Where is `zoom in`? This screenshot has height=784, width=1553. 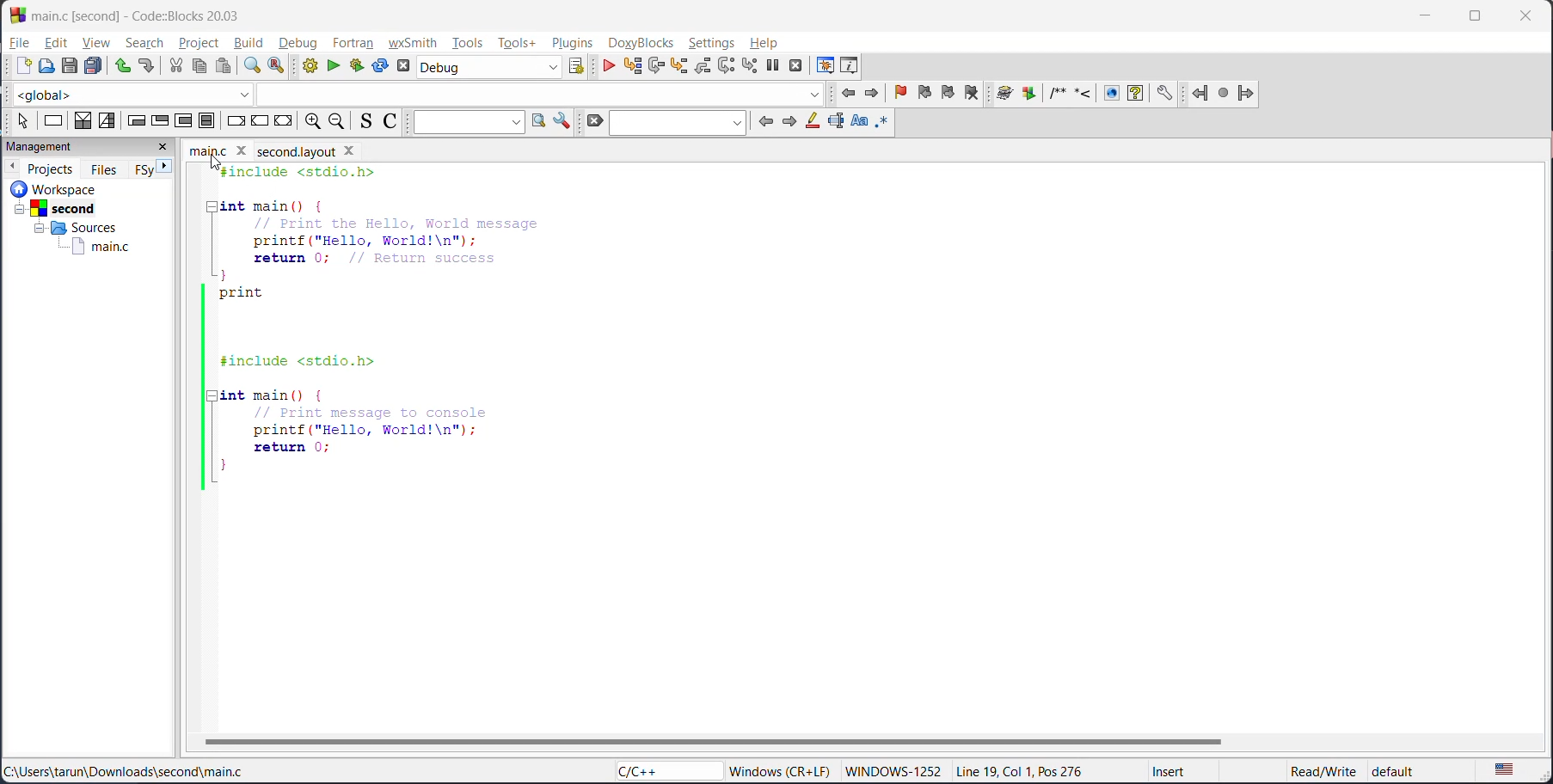 zoom in is located at coordinates (314, 121).